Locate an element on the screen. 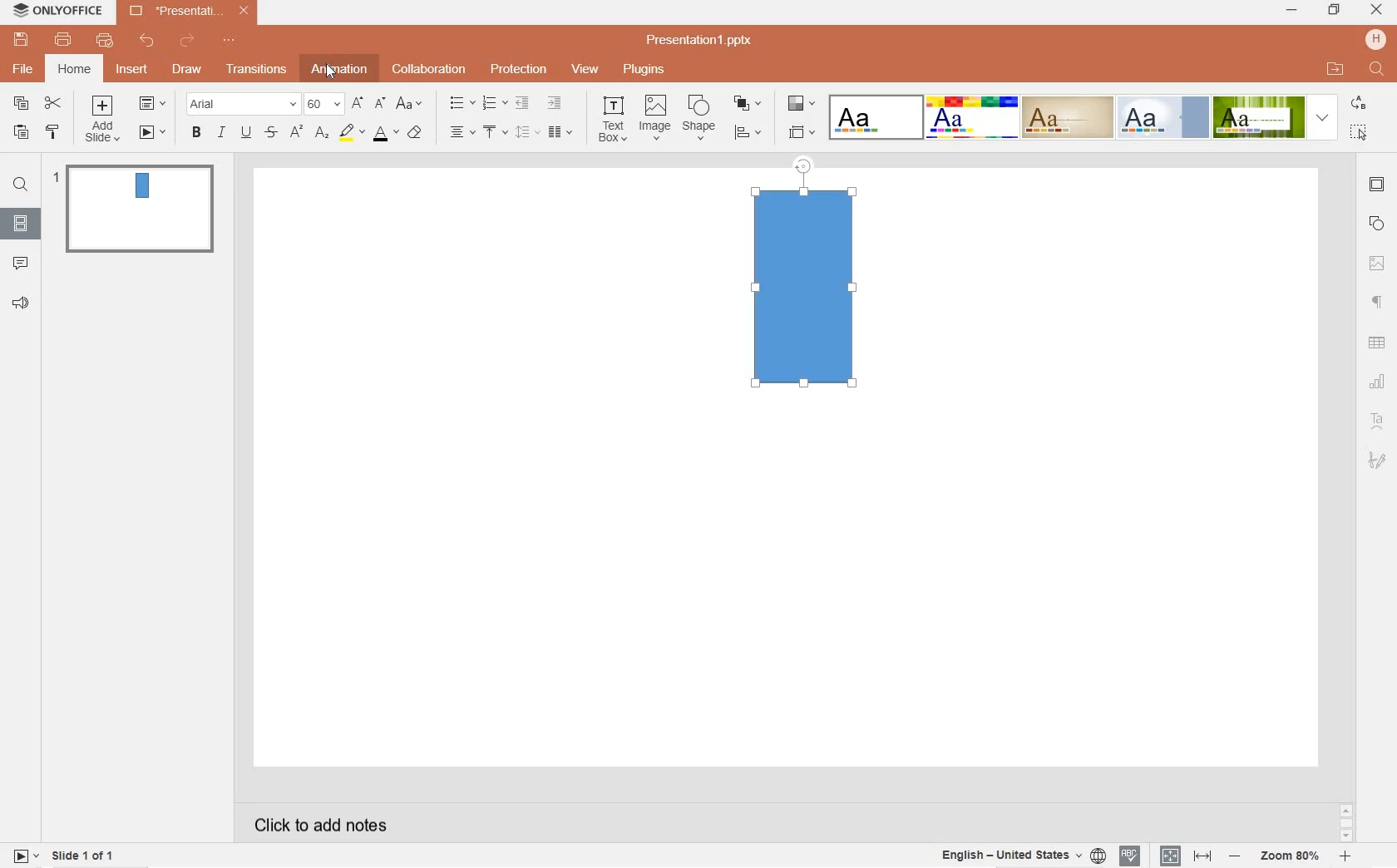 The height and width of the screenshot is (868, 1397). numbering is located at coordinates (493, 104).